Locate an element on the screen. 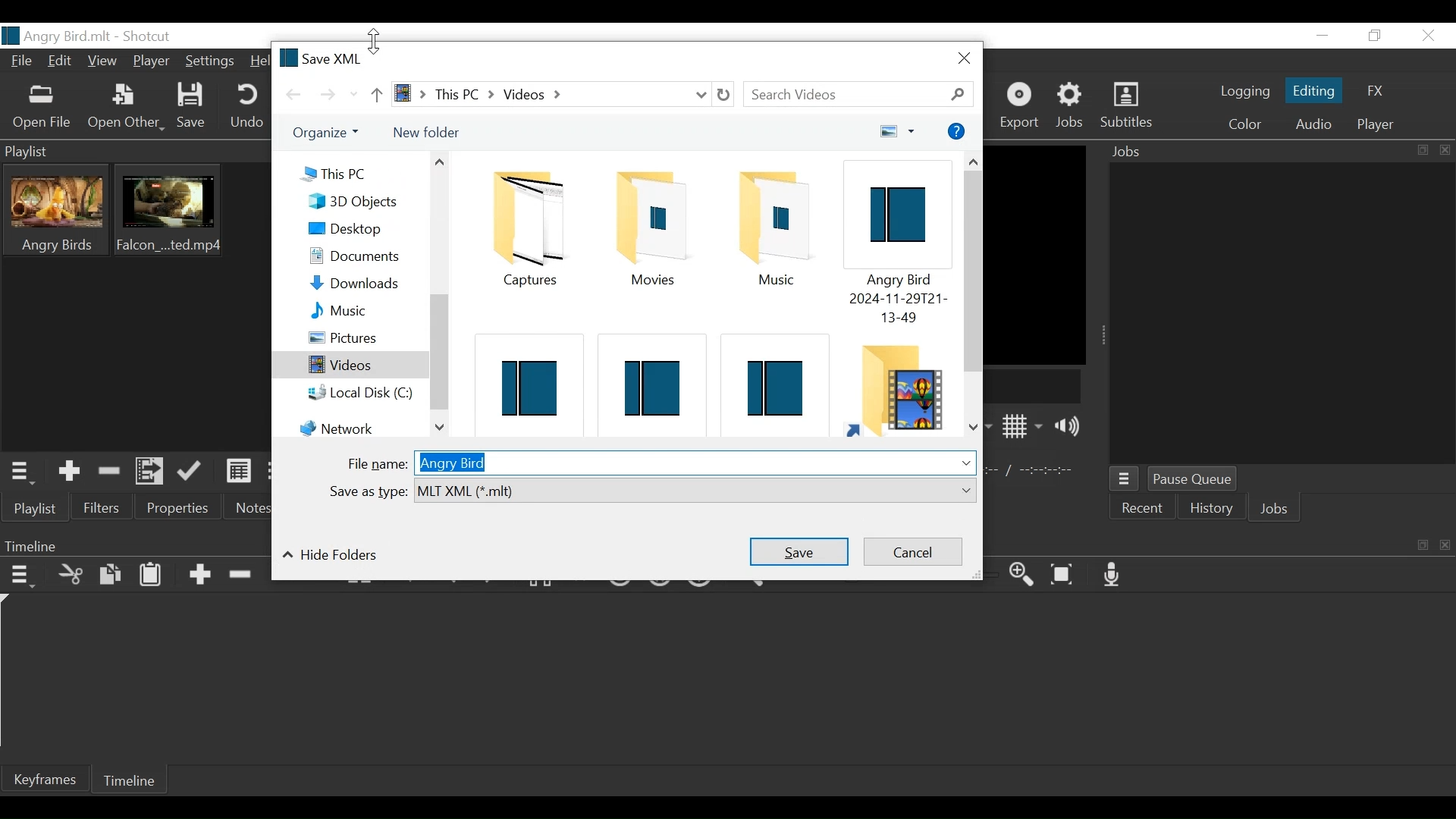  Timeline Panel is located at coordinates (133, 544).